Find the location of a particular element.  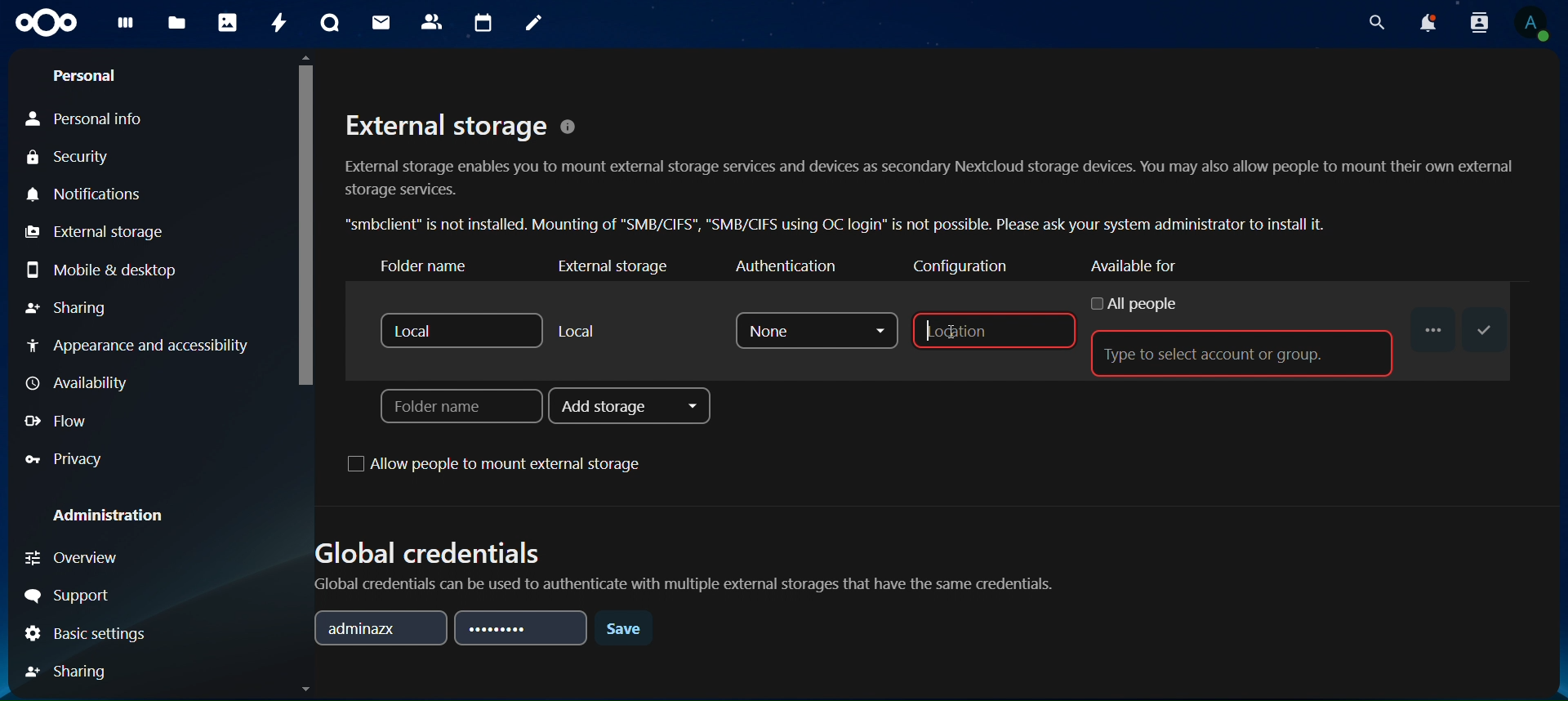

security is located at coordinates (82, 157).